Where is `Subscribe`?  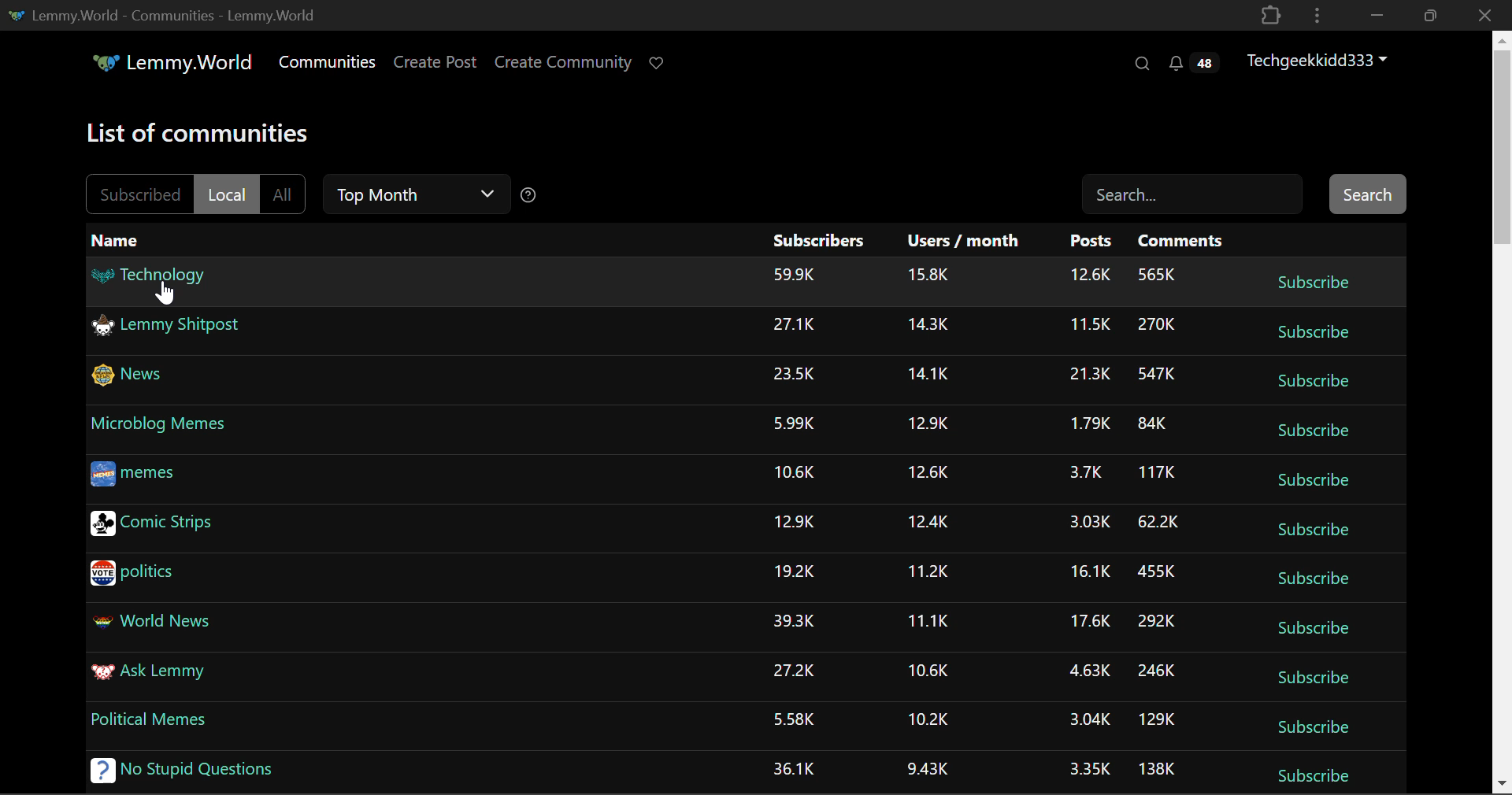 Subscribe is located at coordinates (1320, 682).